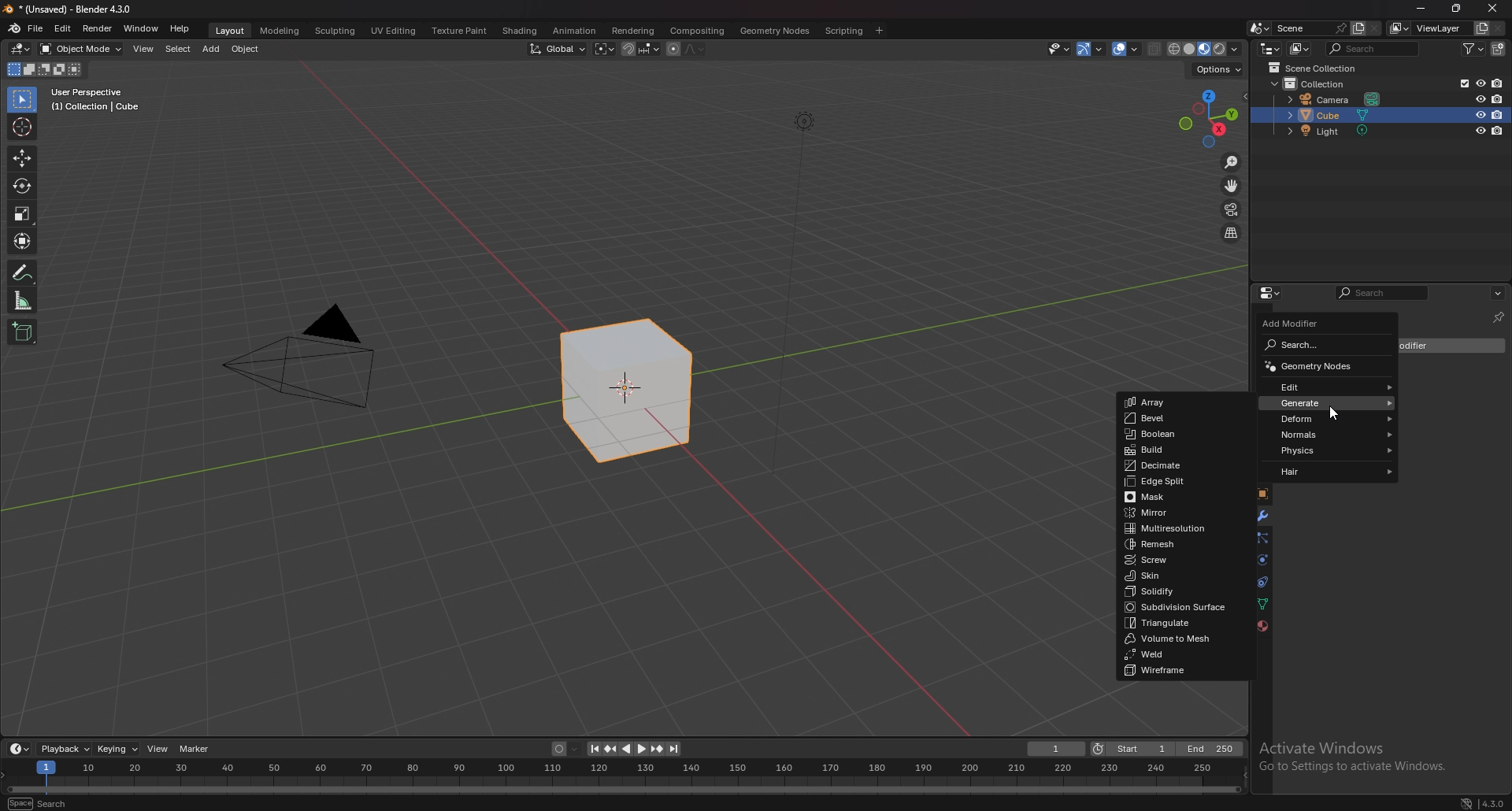 The height and width of the screenshot is (811, 1512). Describe the element at coordinates (22, 273) in the screenshot. I see `annotate` at that location.